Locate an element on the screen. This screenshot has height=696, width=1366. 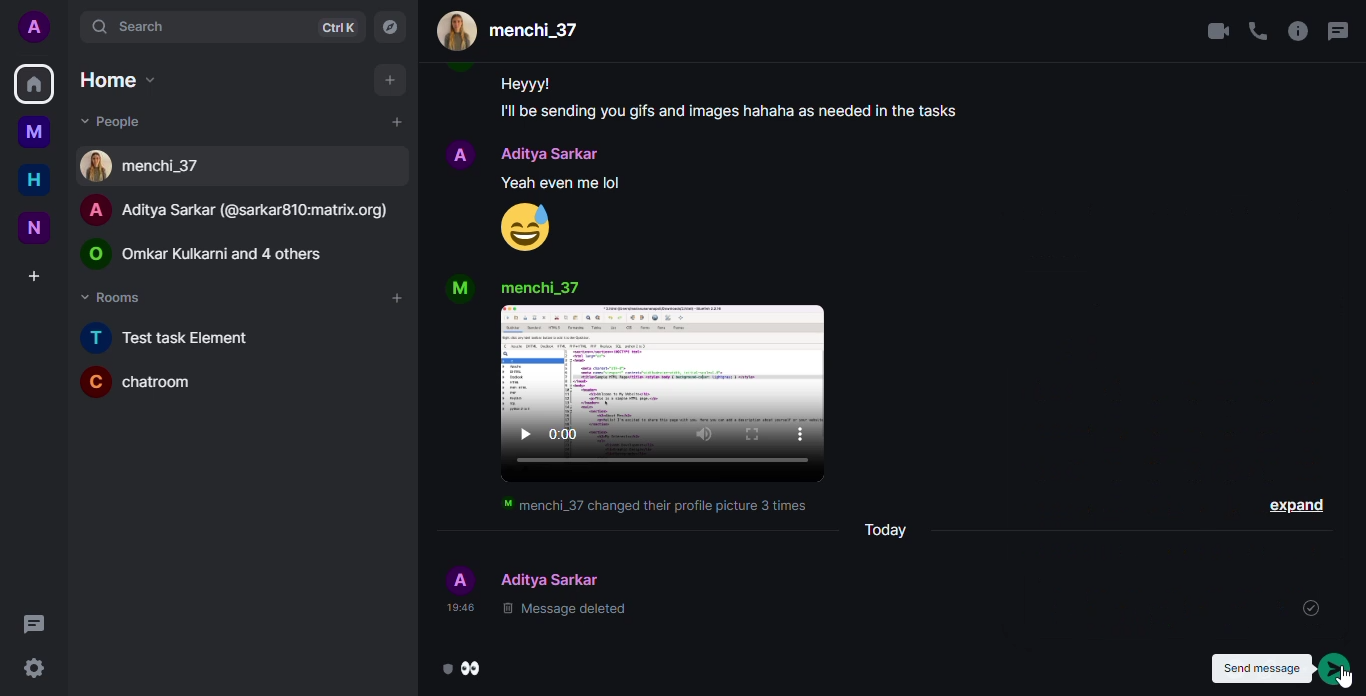
home is located at coordinates (34, 180).